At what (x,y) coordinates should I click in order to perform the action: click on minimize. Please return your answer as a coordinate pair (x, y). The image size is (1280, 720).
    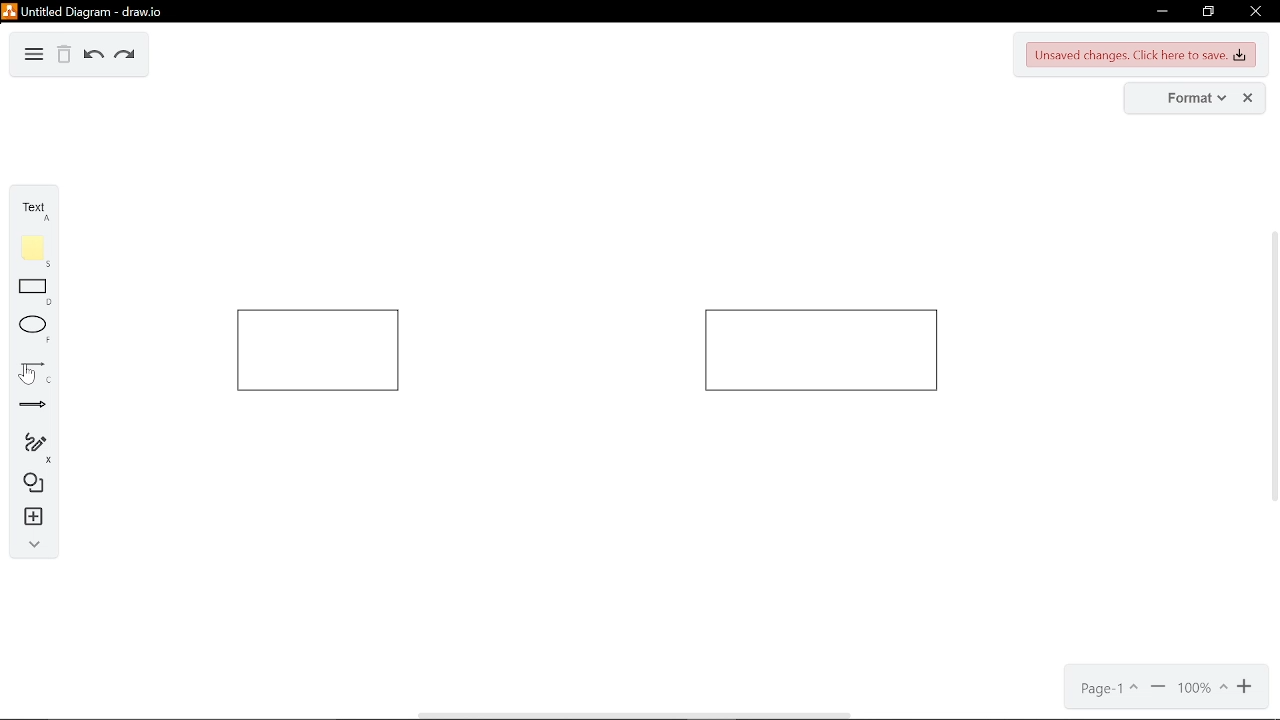
    Looking at the image, I should click on (1165, 11).